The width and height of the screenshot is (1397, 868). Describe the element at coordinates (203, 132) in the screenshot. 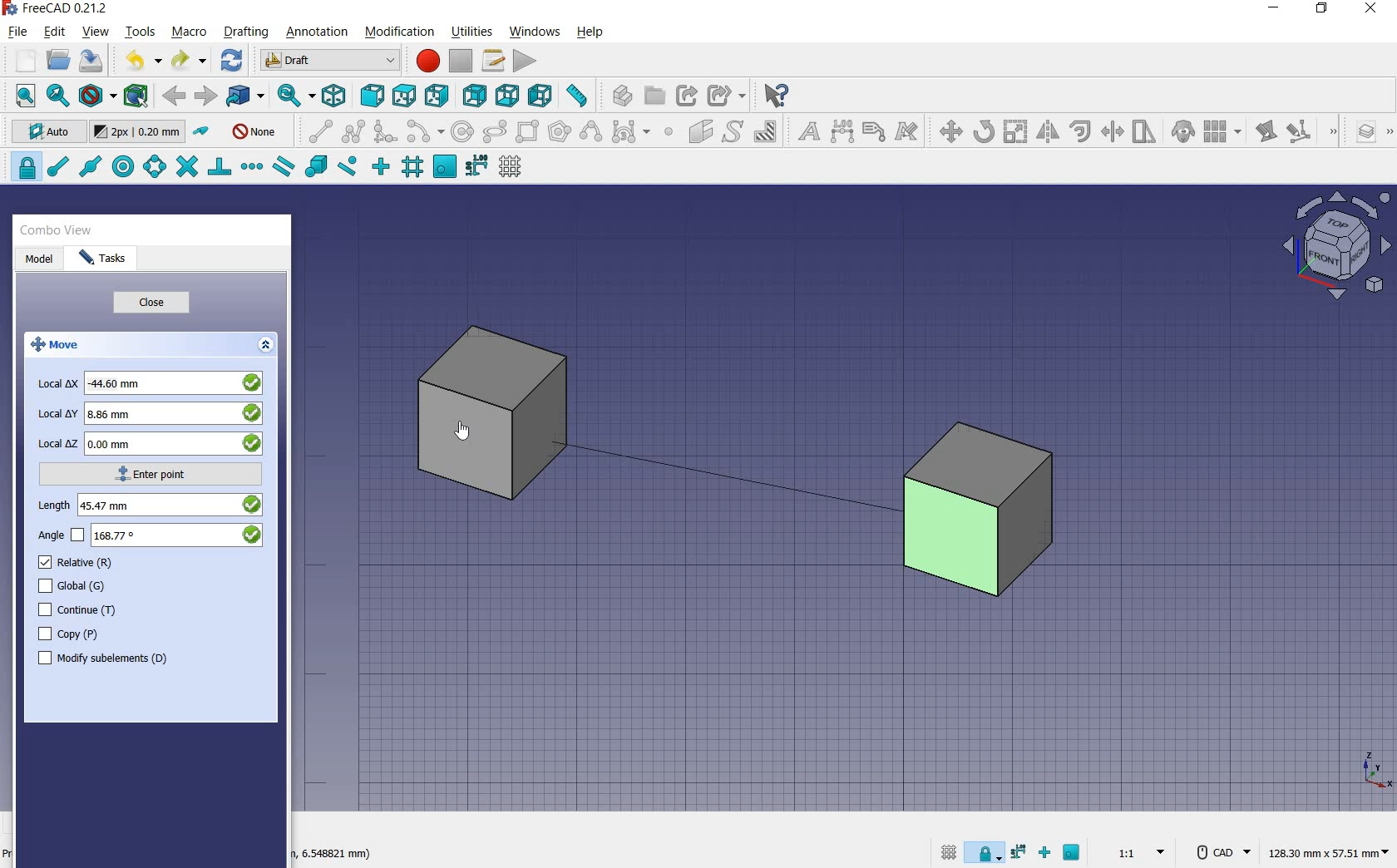

I see `toggle construction mode` at that location.